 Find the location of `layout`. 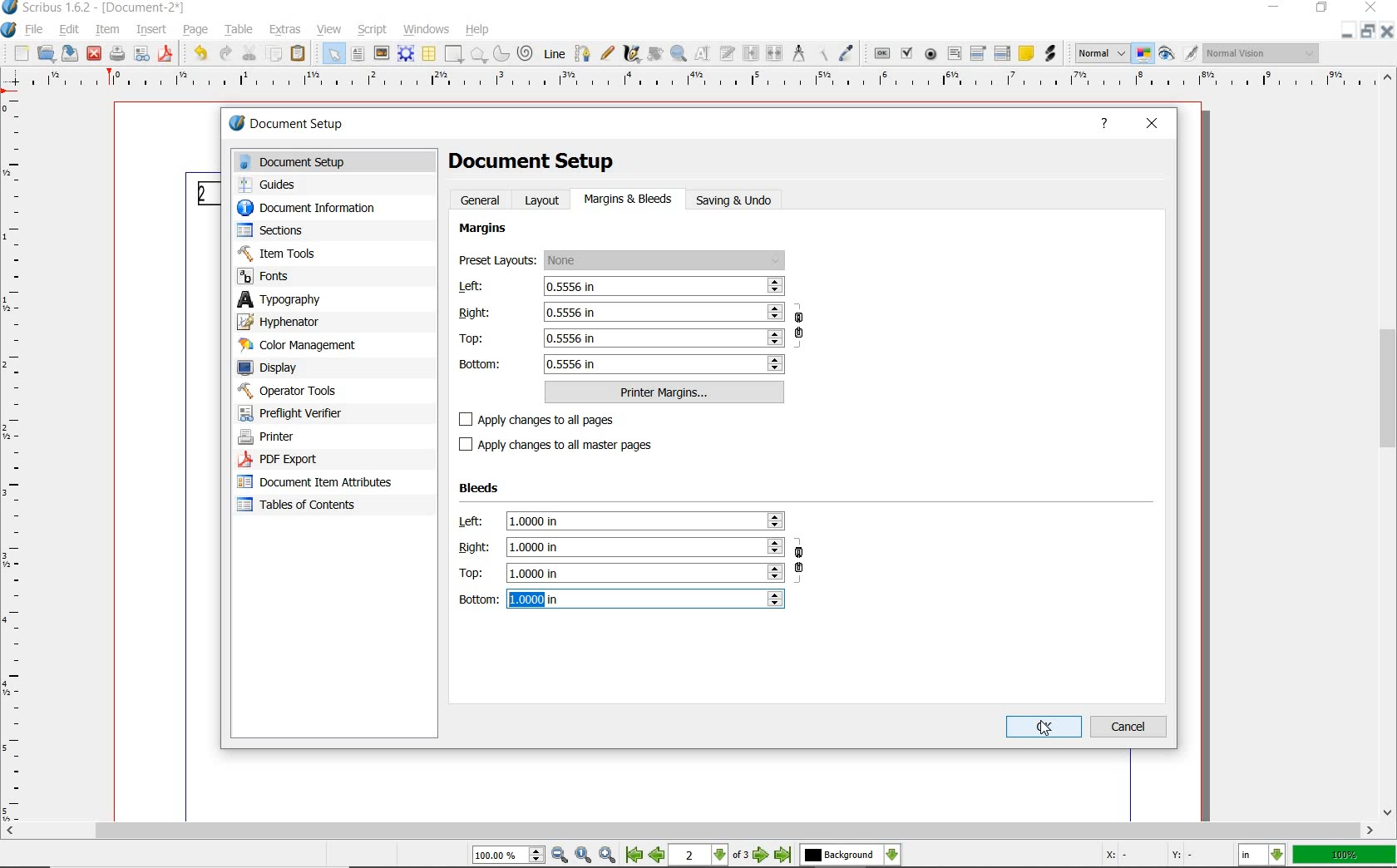

layout is located at coordinates (545, 200).